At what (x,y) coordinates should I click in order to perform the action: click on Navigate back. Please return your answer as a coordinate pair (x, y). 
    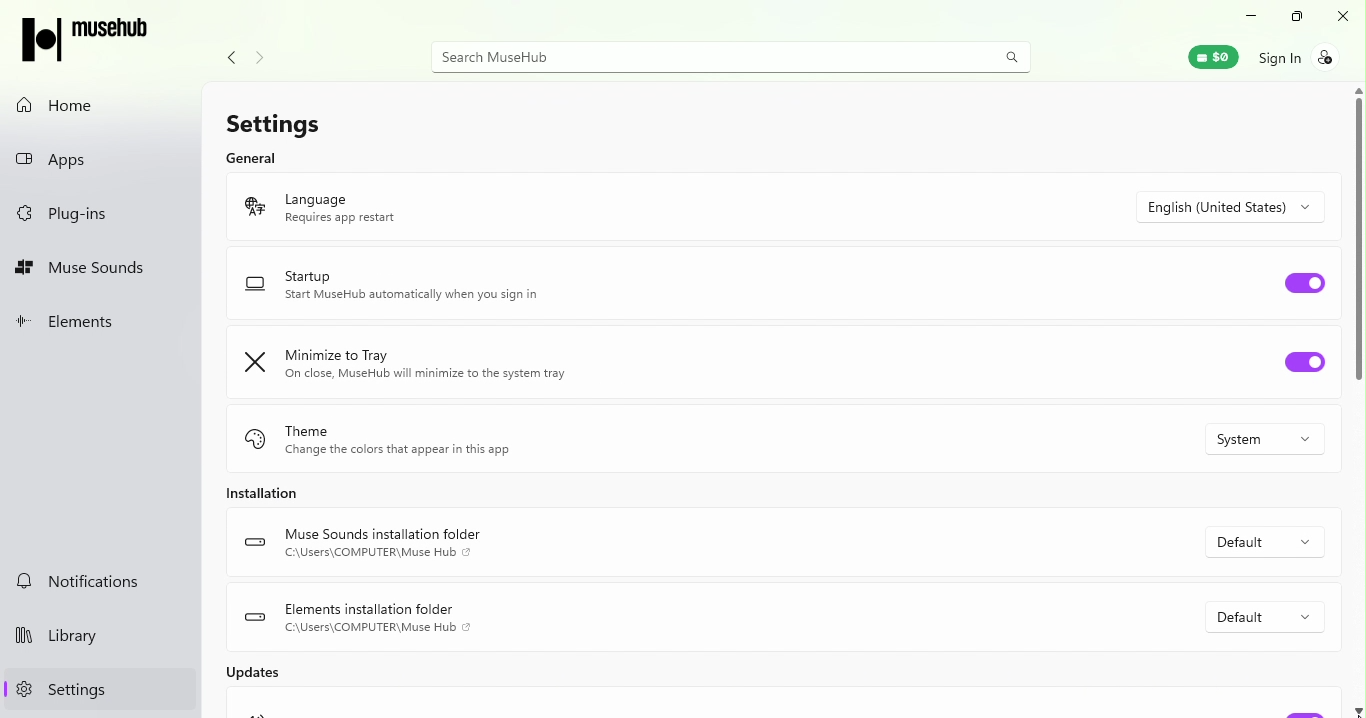
    Looking at the image, I should click on (227, 60).